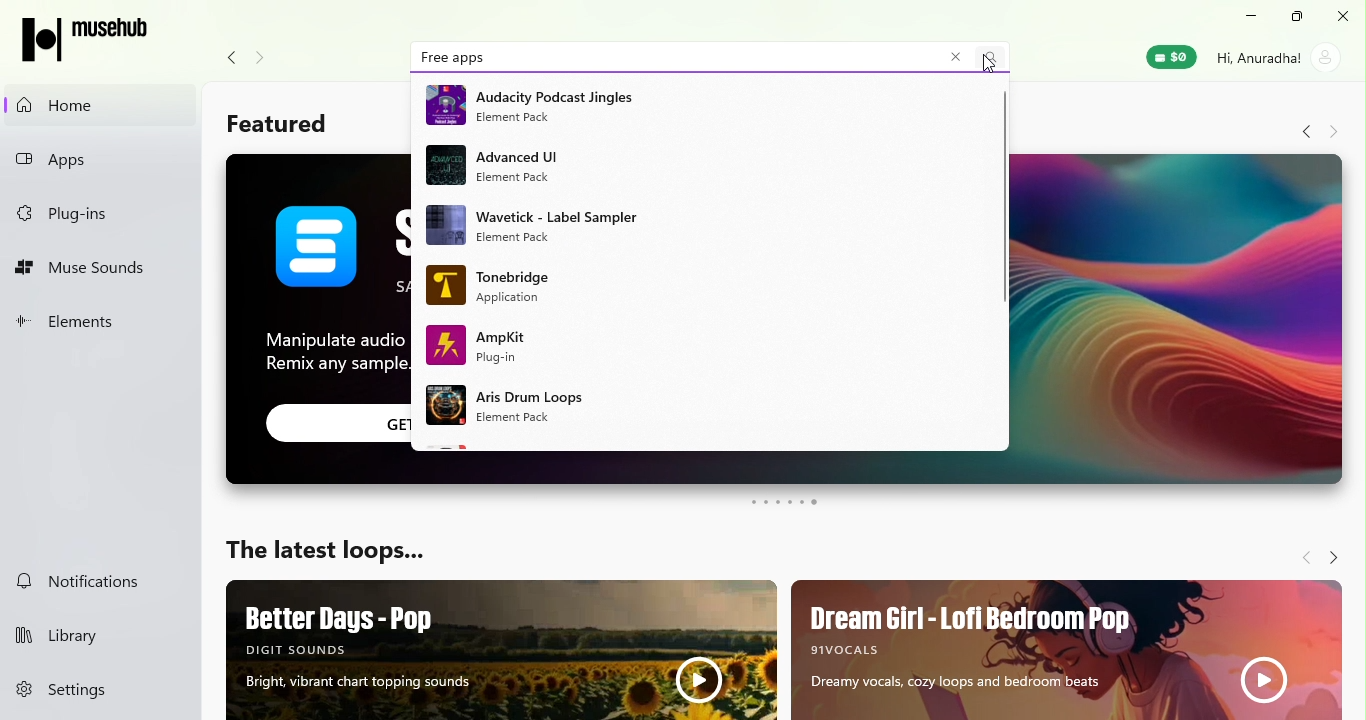 The width and height of the screenshot is (1366, 720). What do you see at coordinates (504, 650) in the screenshot?
I see `Ad` at bounding box center [504, 650].